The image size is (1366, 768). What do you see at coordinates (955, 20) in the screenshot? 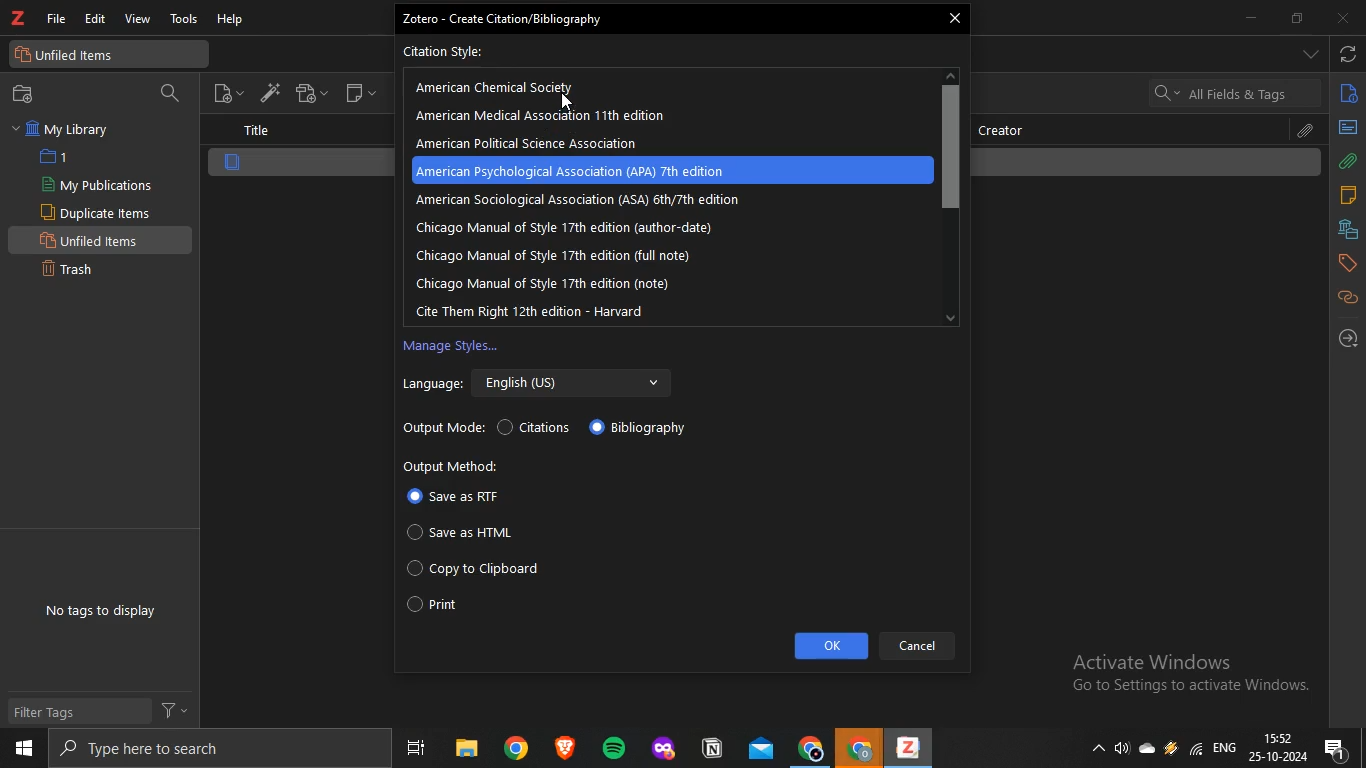
I see `close` at bounding box center [955, 20].